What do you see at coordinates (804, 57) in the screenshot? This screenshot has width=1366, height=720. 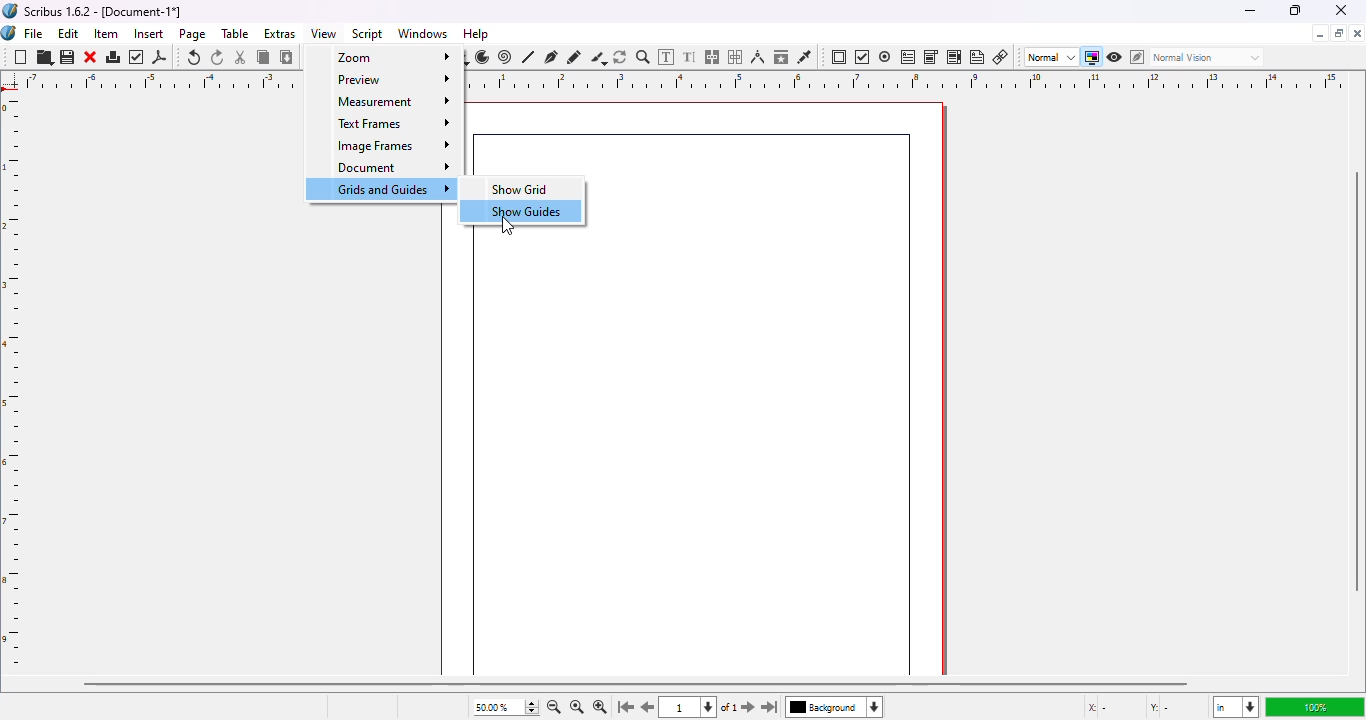 I see `eye dropper` at bounding box center [804, 57].